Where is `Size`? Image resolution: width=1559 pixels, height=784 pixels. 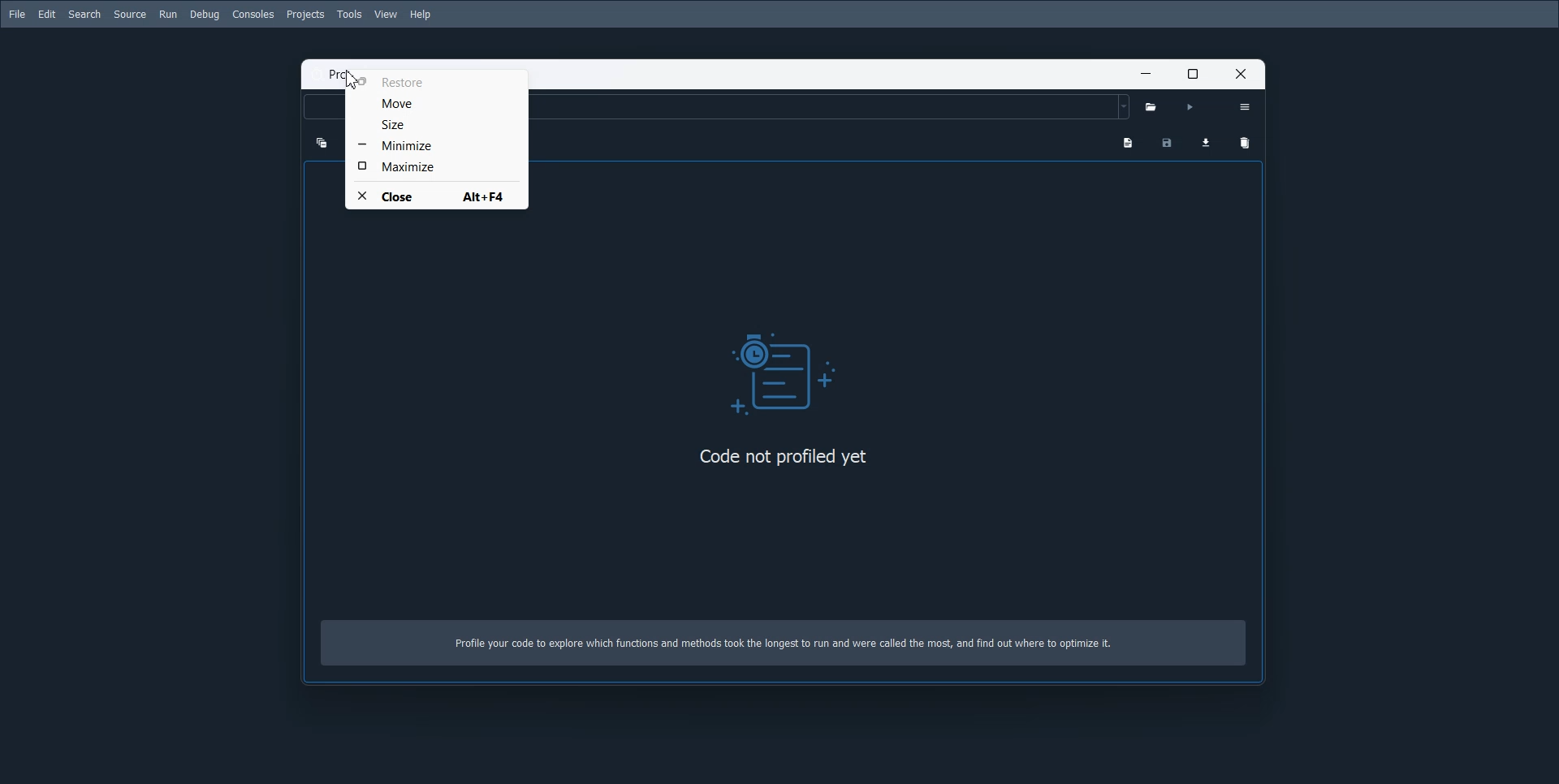 Size is located at coordinates (433, 125).